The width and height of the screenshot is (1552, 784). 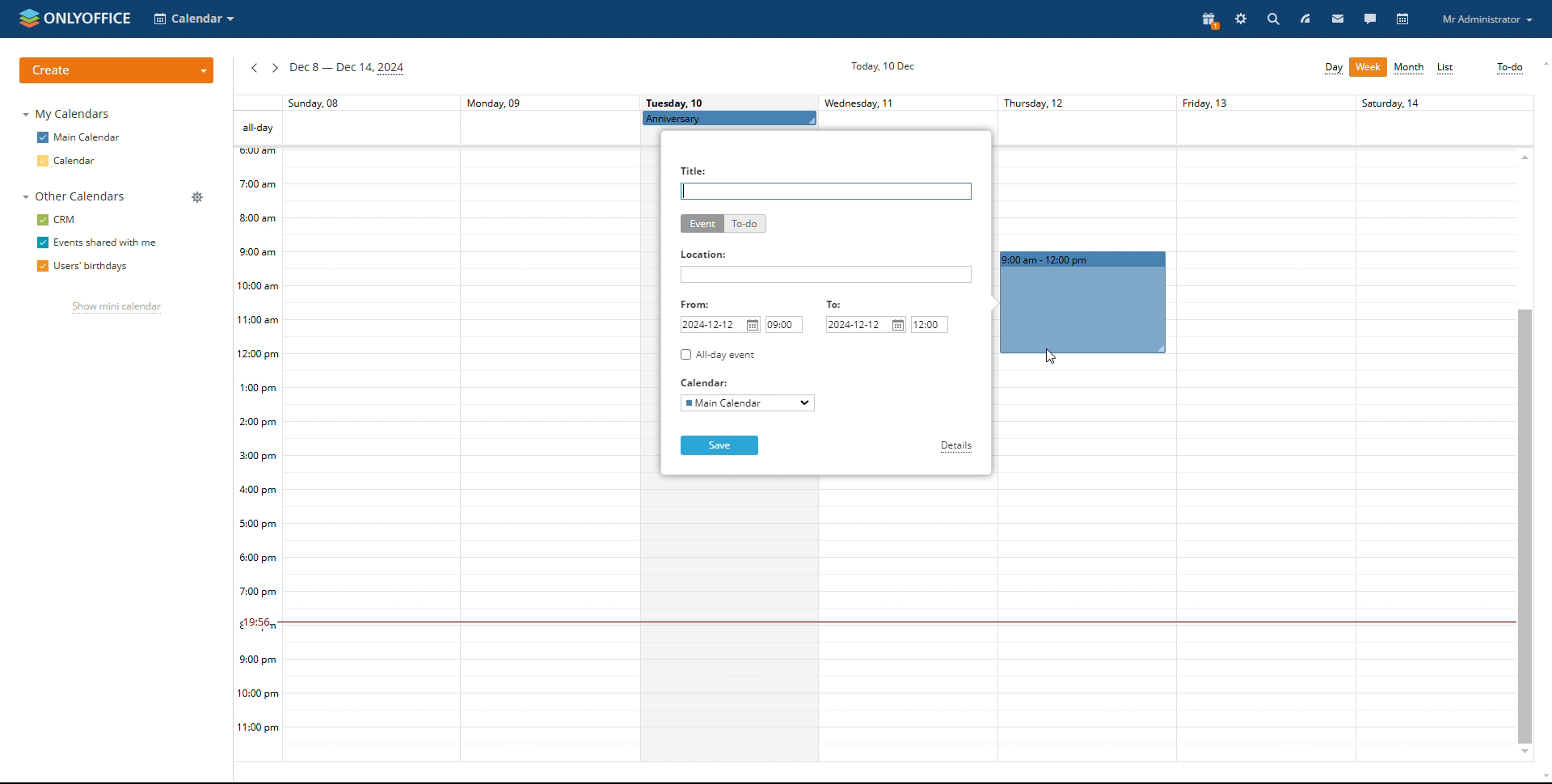 What do you see at coordinates (107, 242) in the screenshot?
I see `events shared with me` at bounding box center [107, 242].